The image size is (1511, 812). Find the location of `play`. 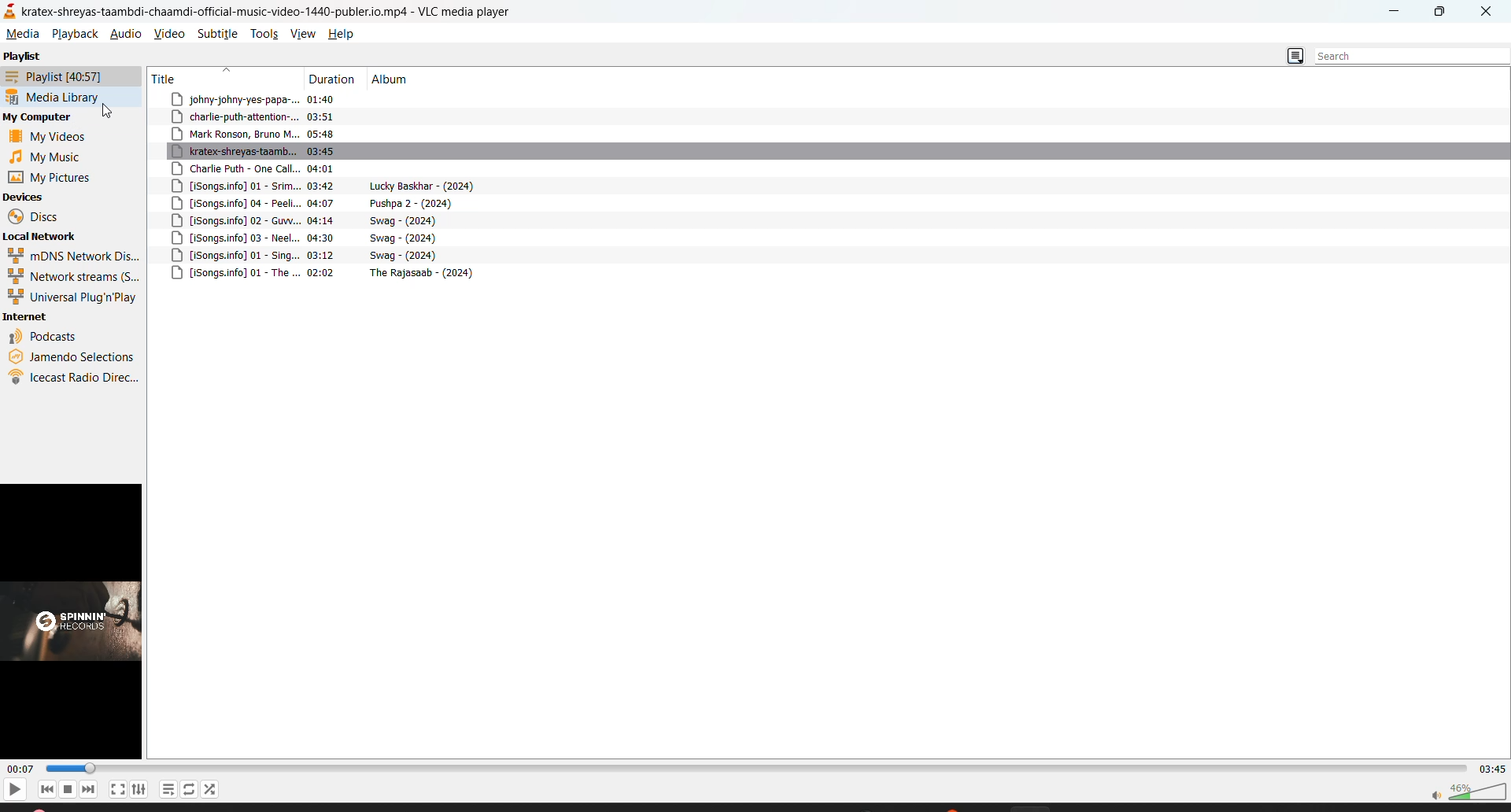

play is located at coordinates (13, 789).